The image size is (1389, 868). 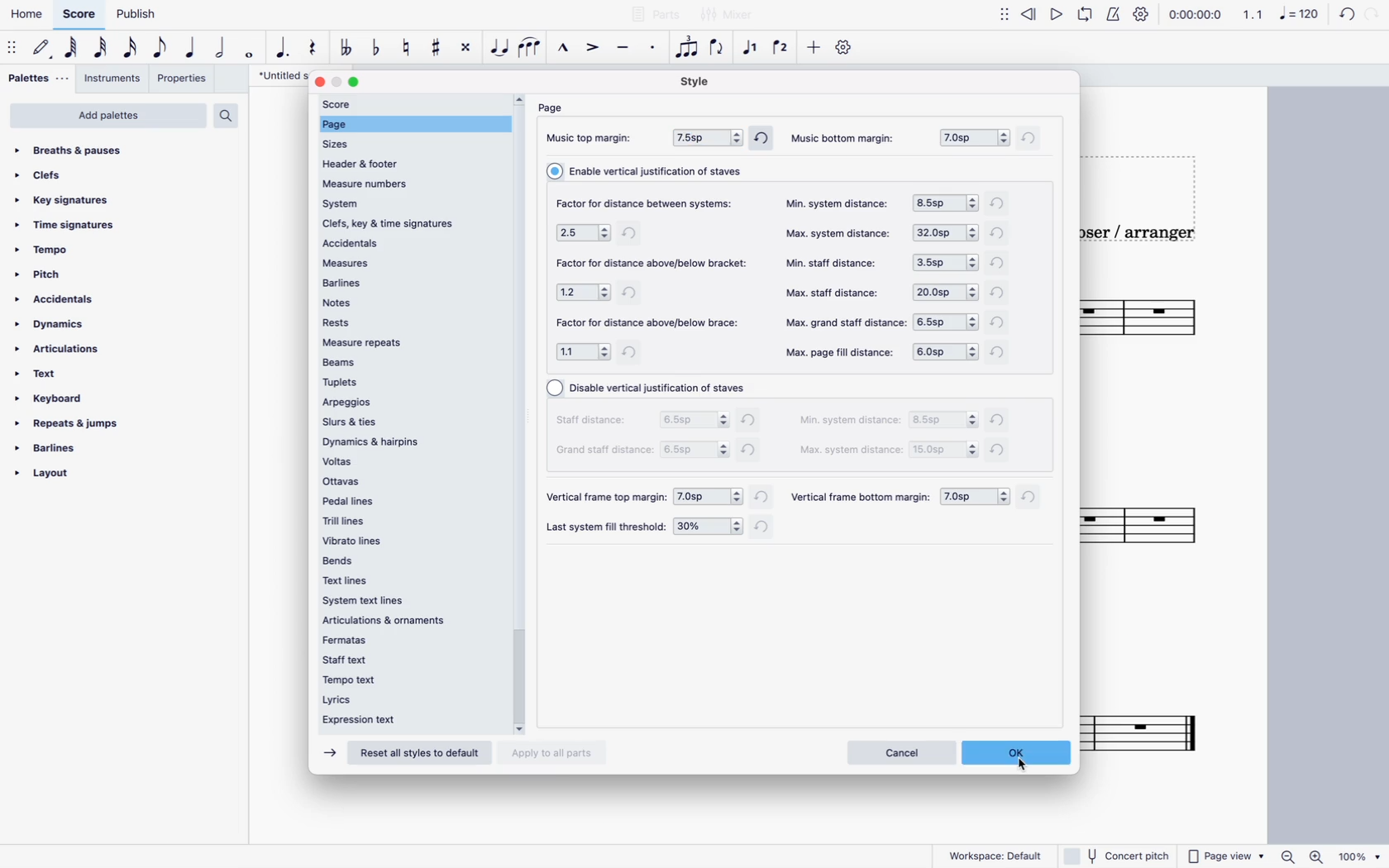 I want to click on ok, so click(x=1021, y=752).